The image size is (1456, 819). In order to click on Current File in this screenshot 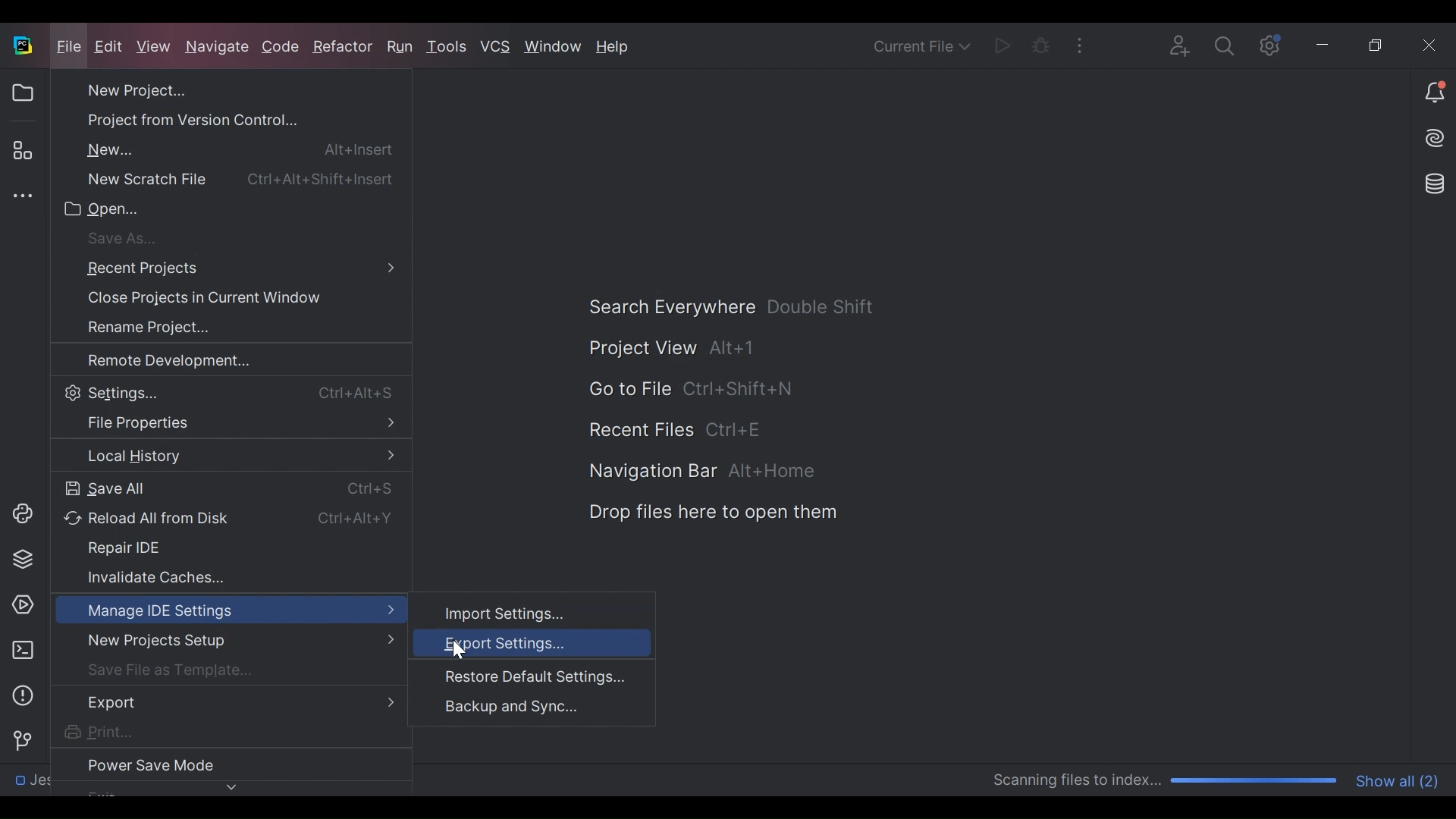, I will do `click(923, 45)`.